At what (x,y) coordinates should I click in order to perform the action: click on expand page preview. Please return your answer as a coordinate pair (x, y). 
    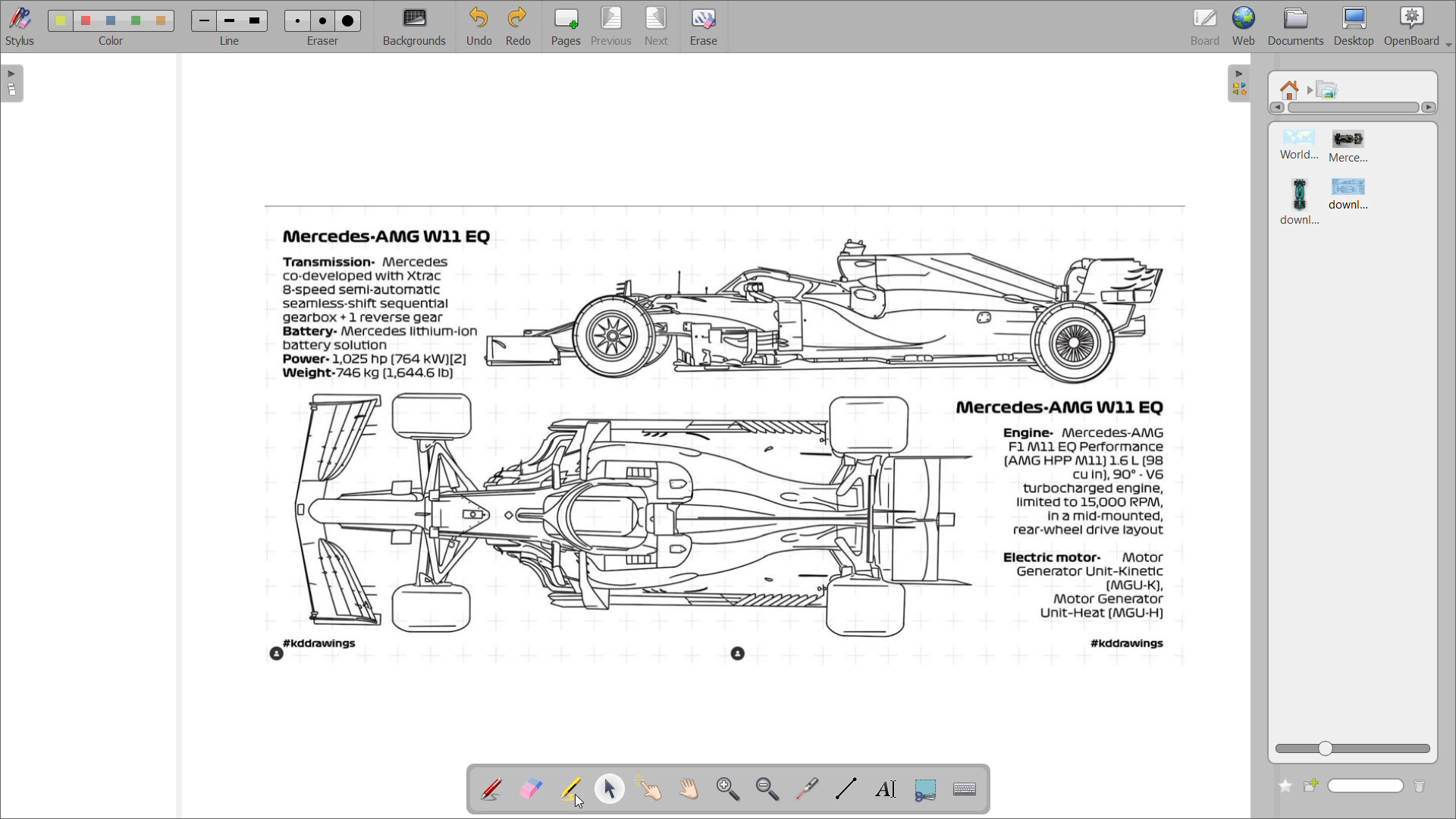
    Looking at the image, I should click on (13, 83).